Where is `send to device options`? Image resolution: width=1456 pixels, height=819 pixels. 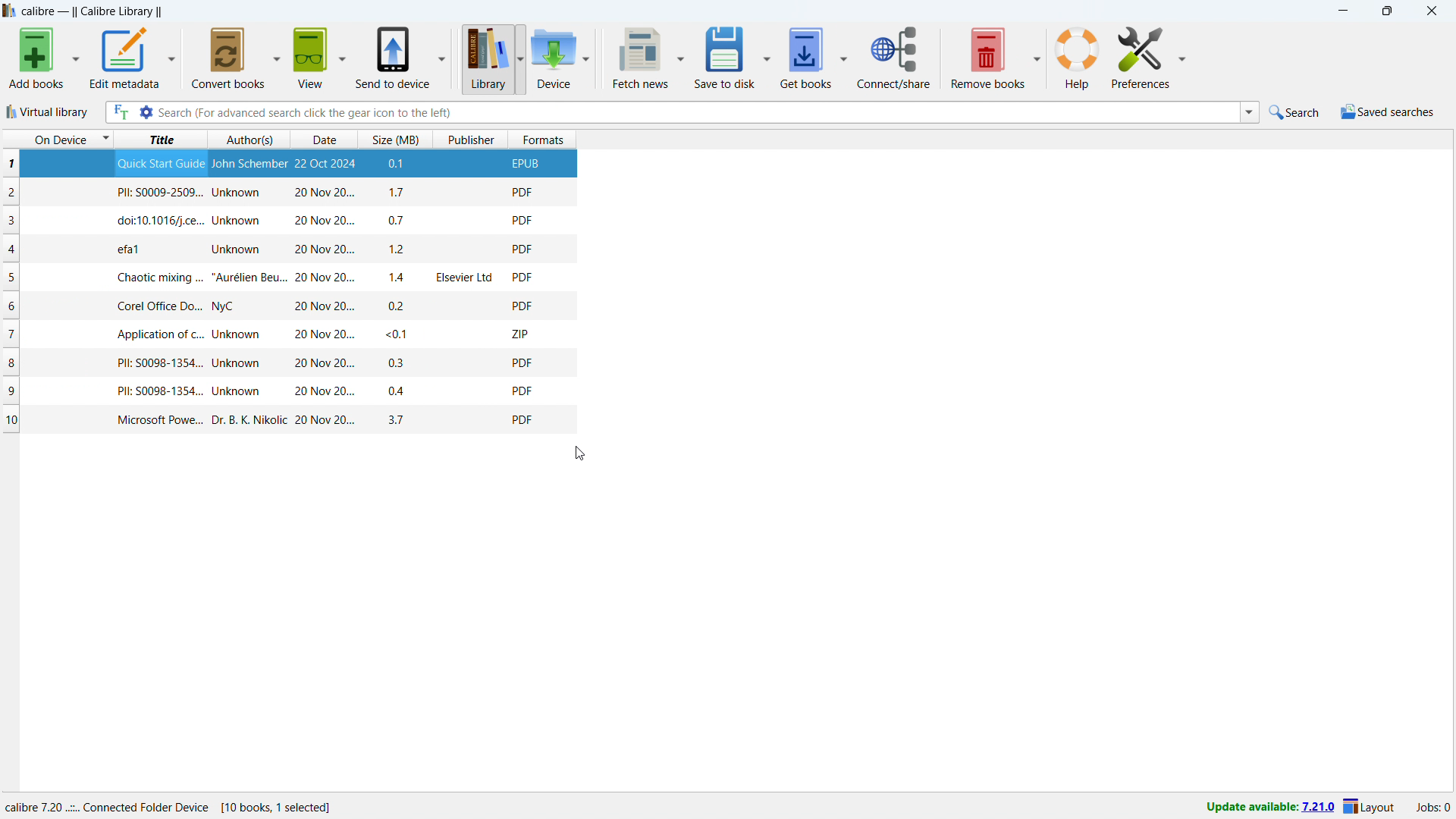 send to device options is located at coordinates (444, 55).